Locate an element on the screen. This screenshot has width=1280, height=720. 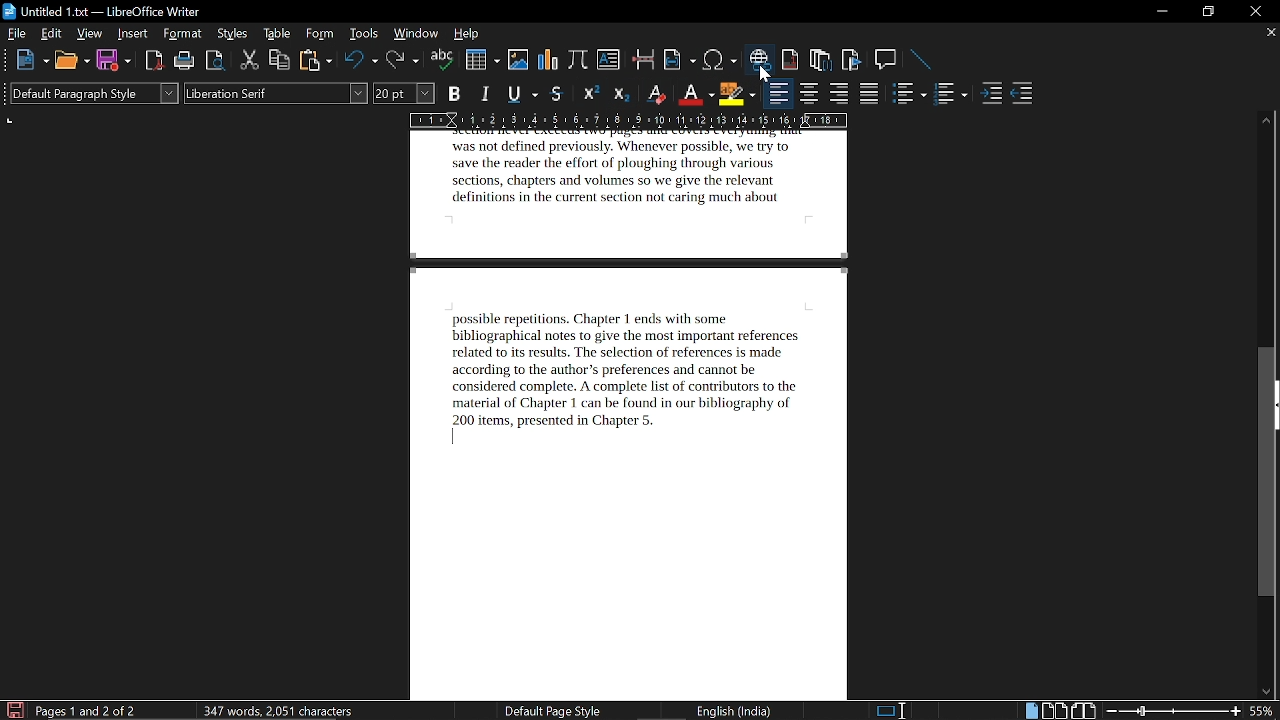
insert formula is located at coordinates (578, 62).